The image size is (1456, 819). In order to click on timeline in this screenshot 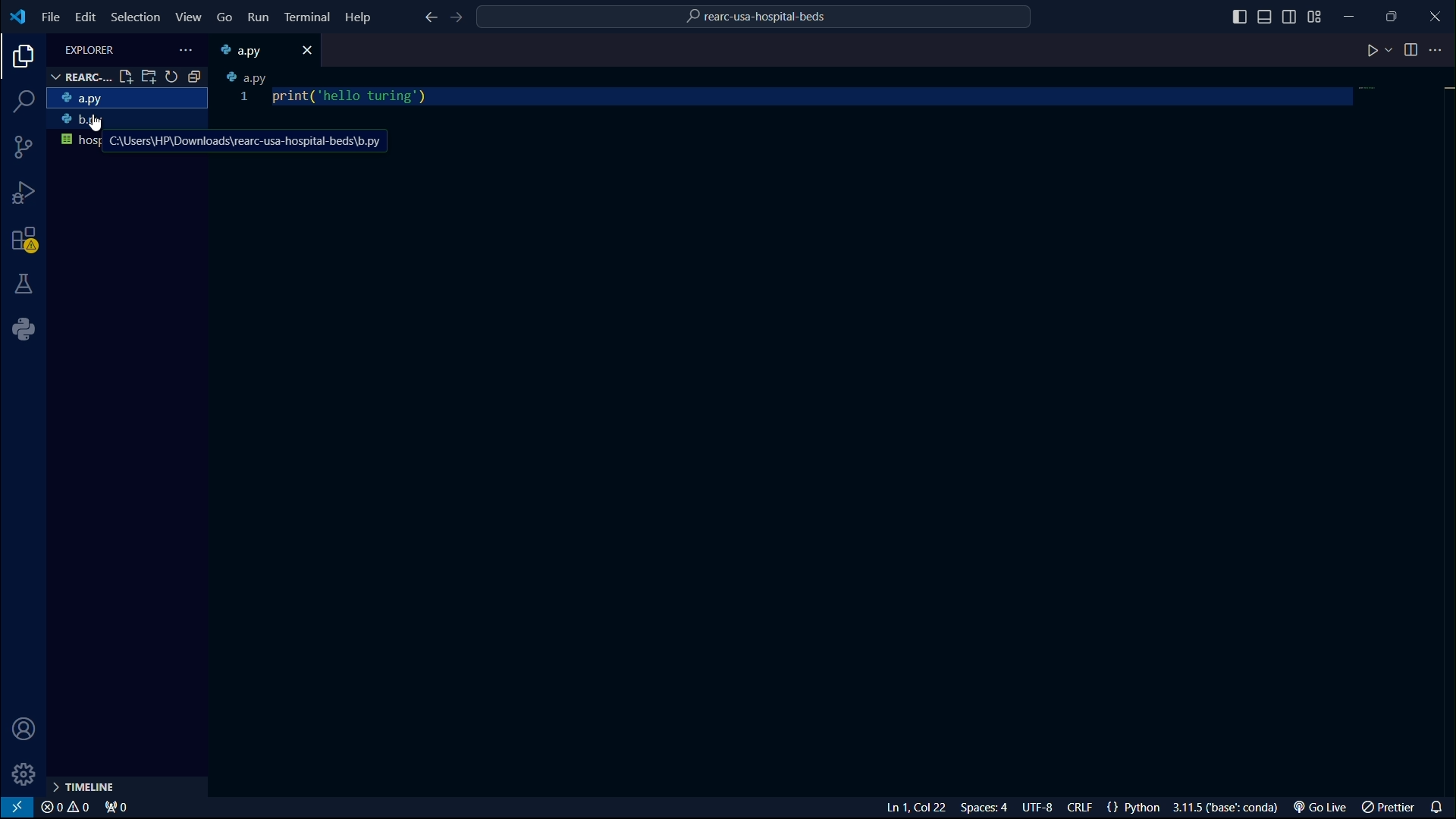, I will do `click(83, 787)`.